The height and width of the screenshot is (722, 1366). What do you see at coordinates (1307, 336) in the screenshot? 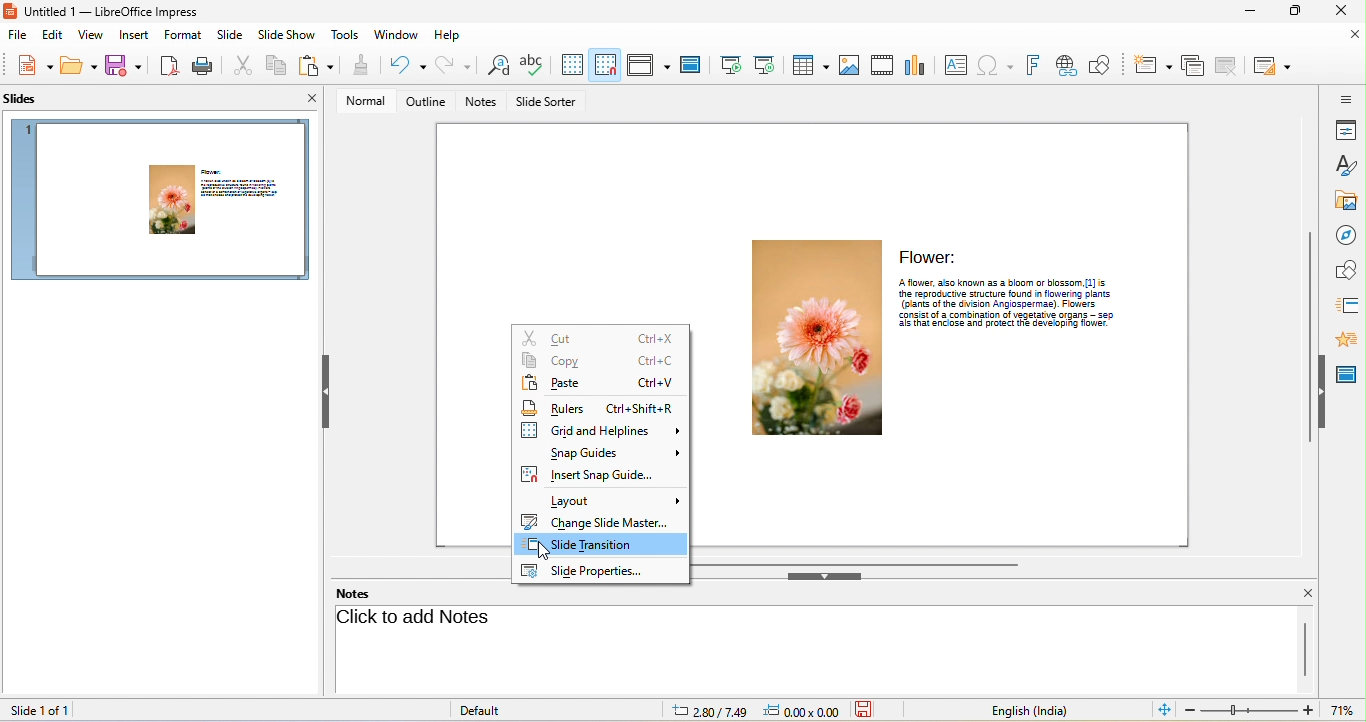
I see `vertical scroll bar` at bounding box center [1307, 336].